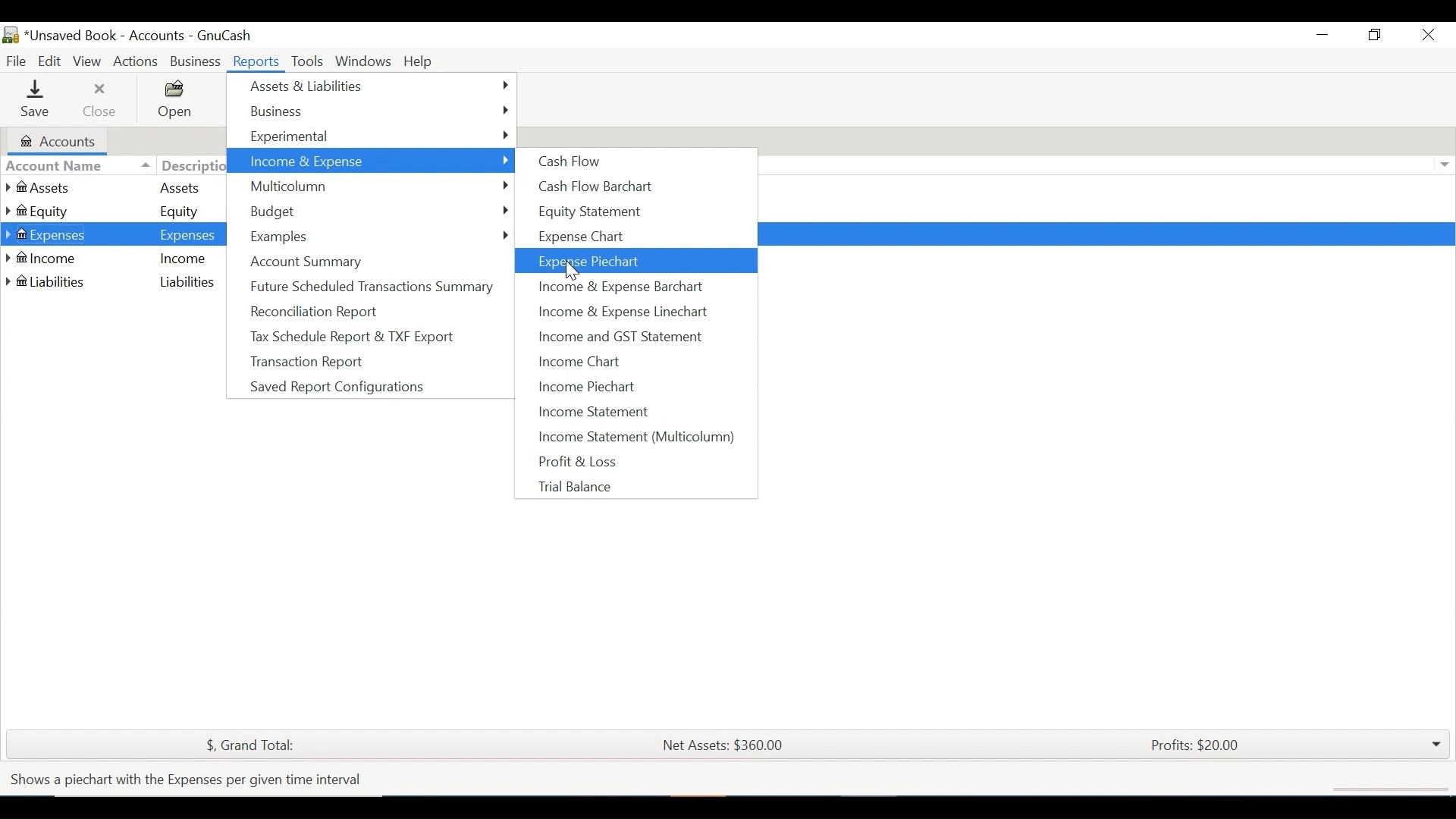  I want to click on Minimize, so click(1323, 36).